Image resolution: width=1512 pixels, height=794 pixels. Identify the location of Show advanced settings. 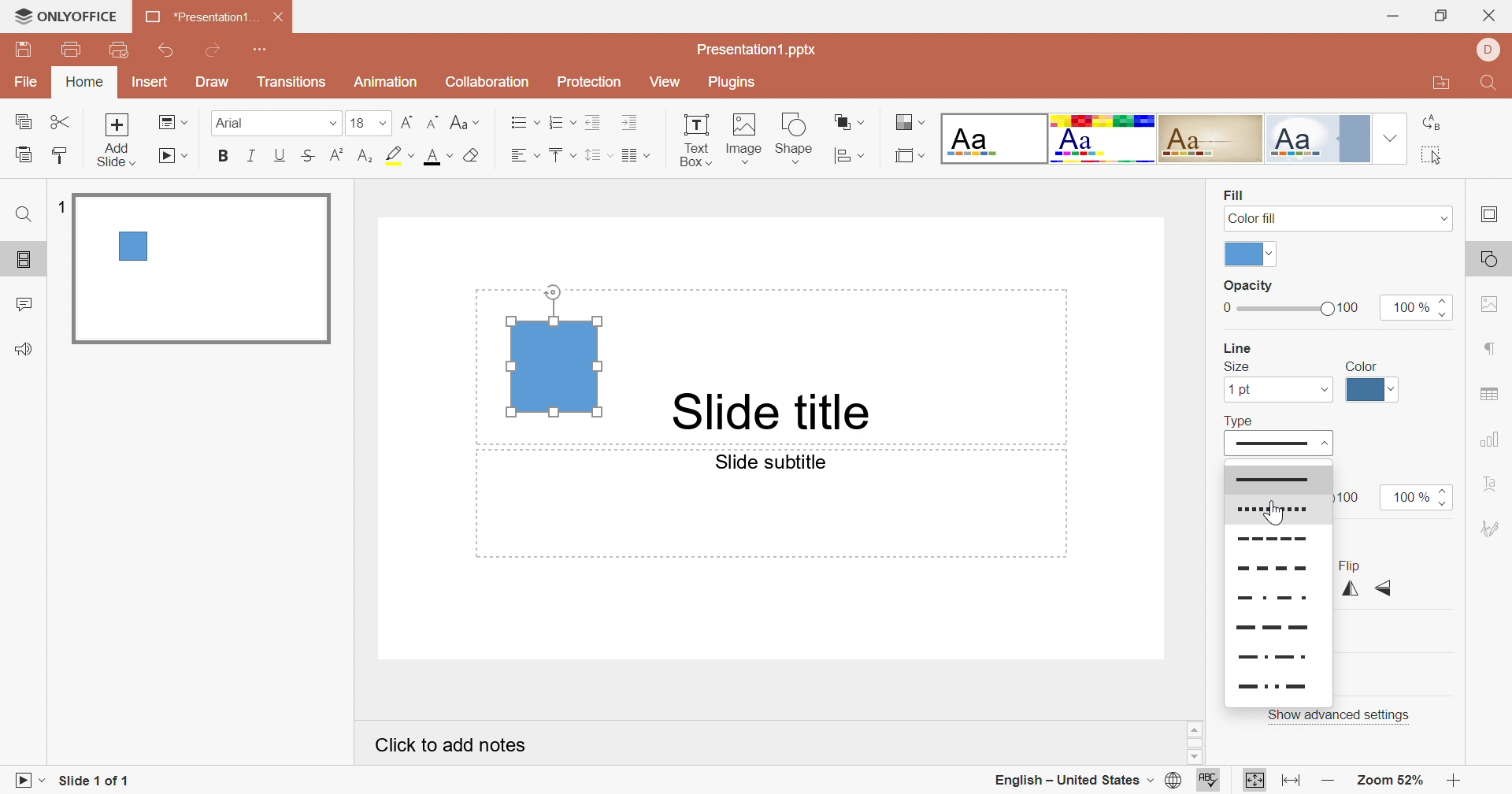
(1340, 714).